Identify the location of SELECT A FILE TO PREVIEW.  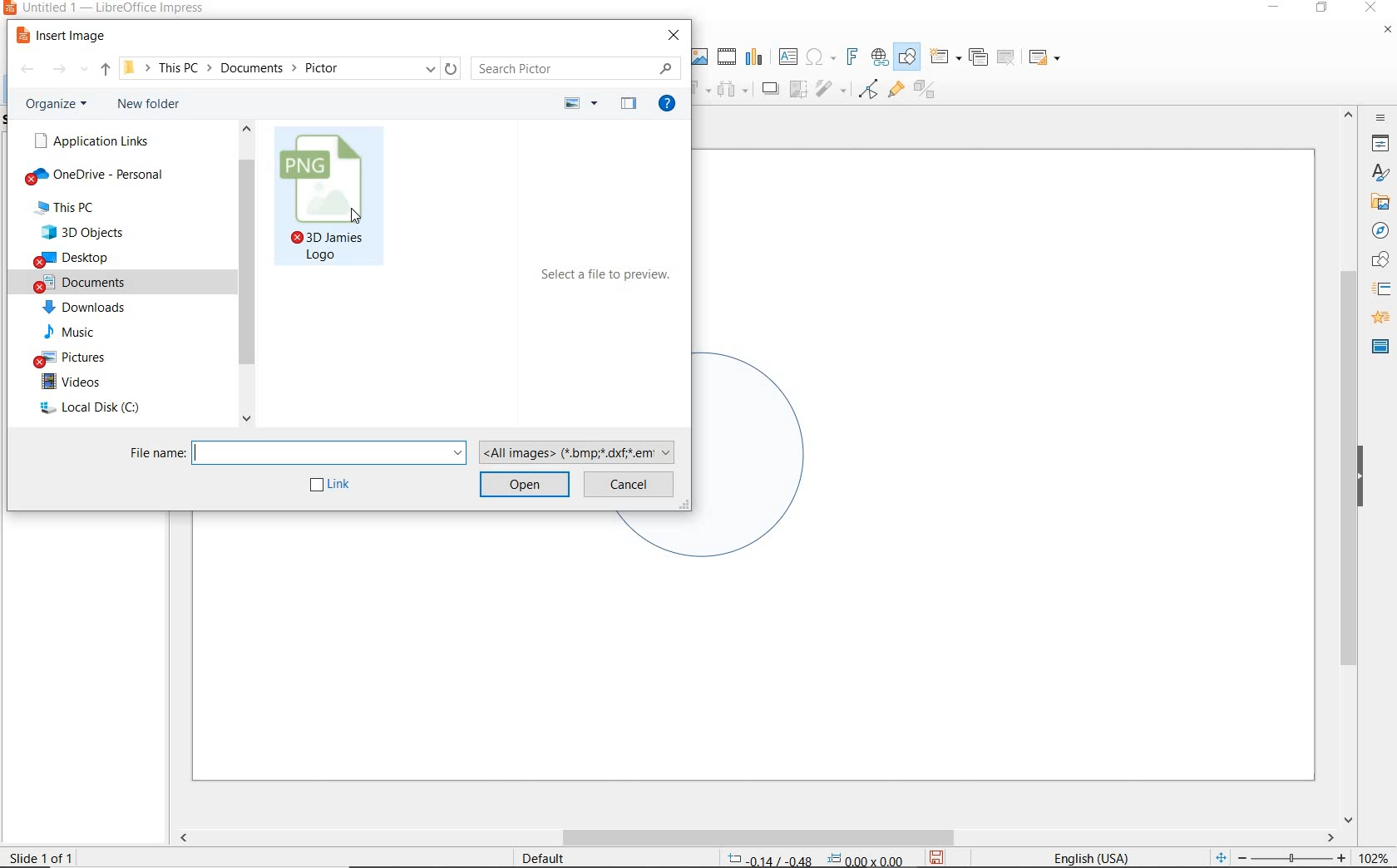
(608, 279).